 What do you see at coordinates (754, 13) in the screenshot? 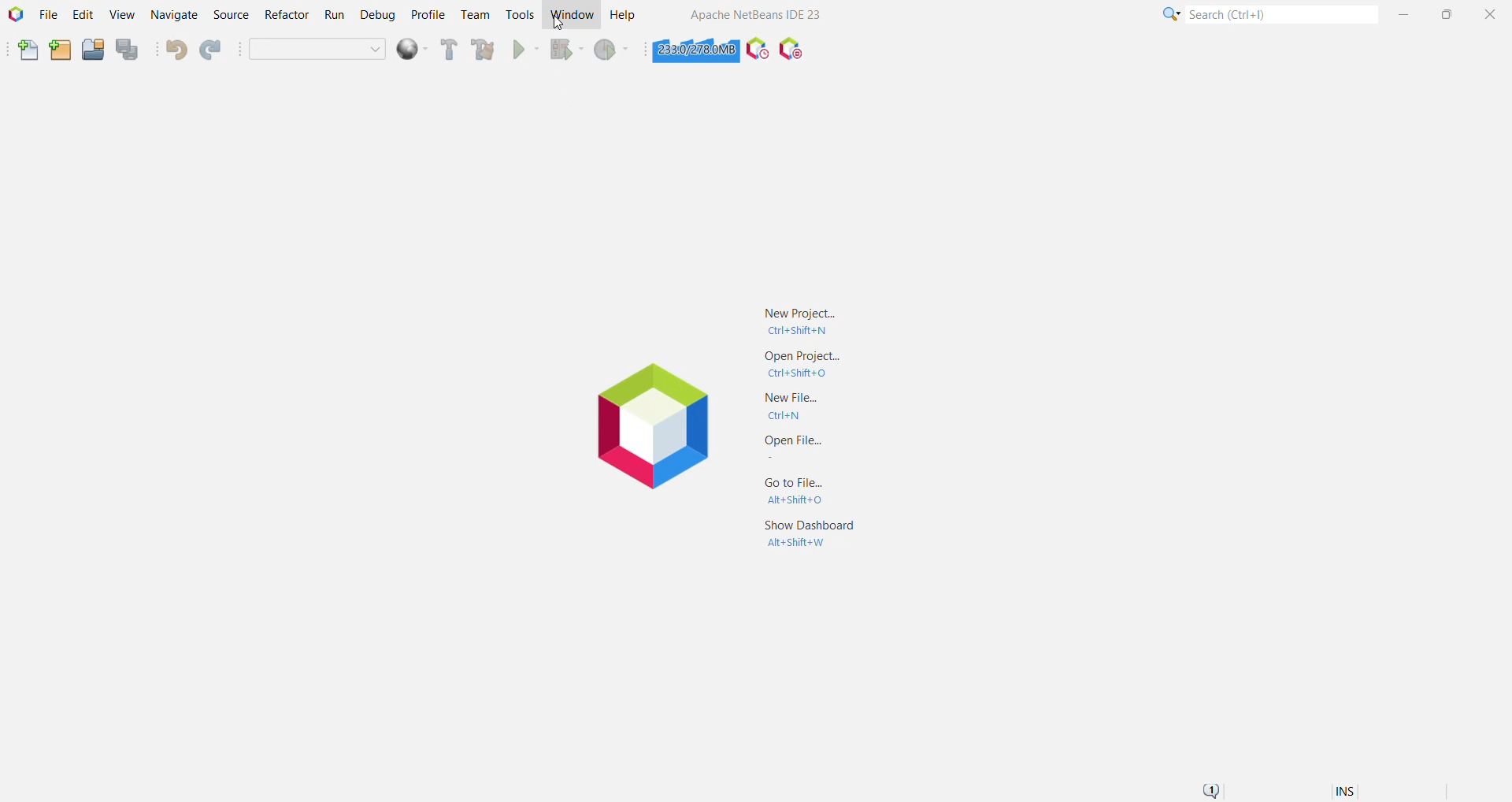
I see `Application Name and Version` at bounding box center [754, 13].